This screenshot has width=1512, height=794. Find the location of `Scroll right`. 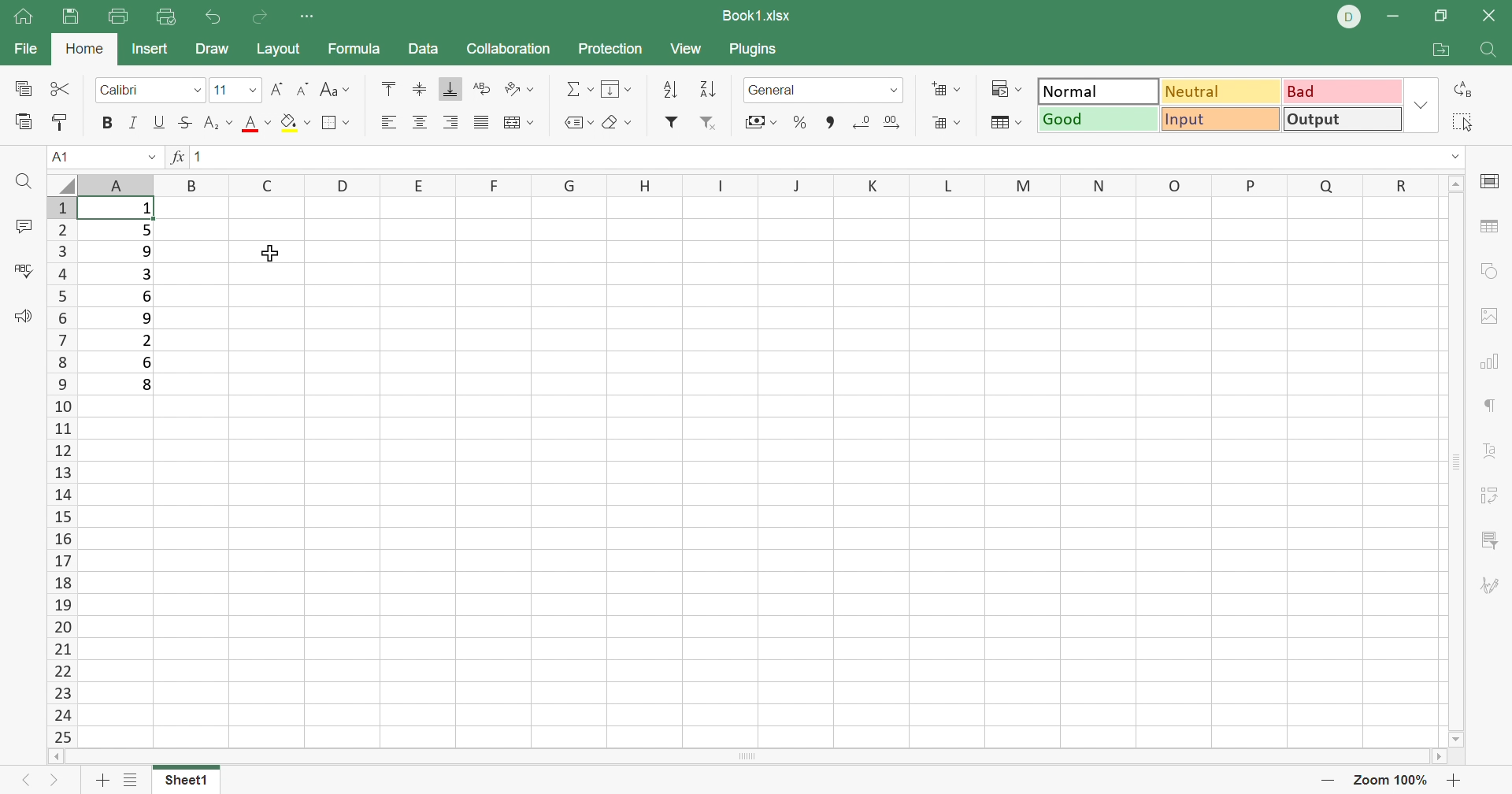

Scroll right is located at coordinates (1441, 756).